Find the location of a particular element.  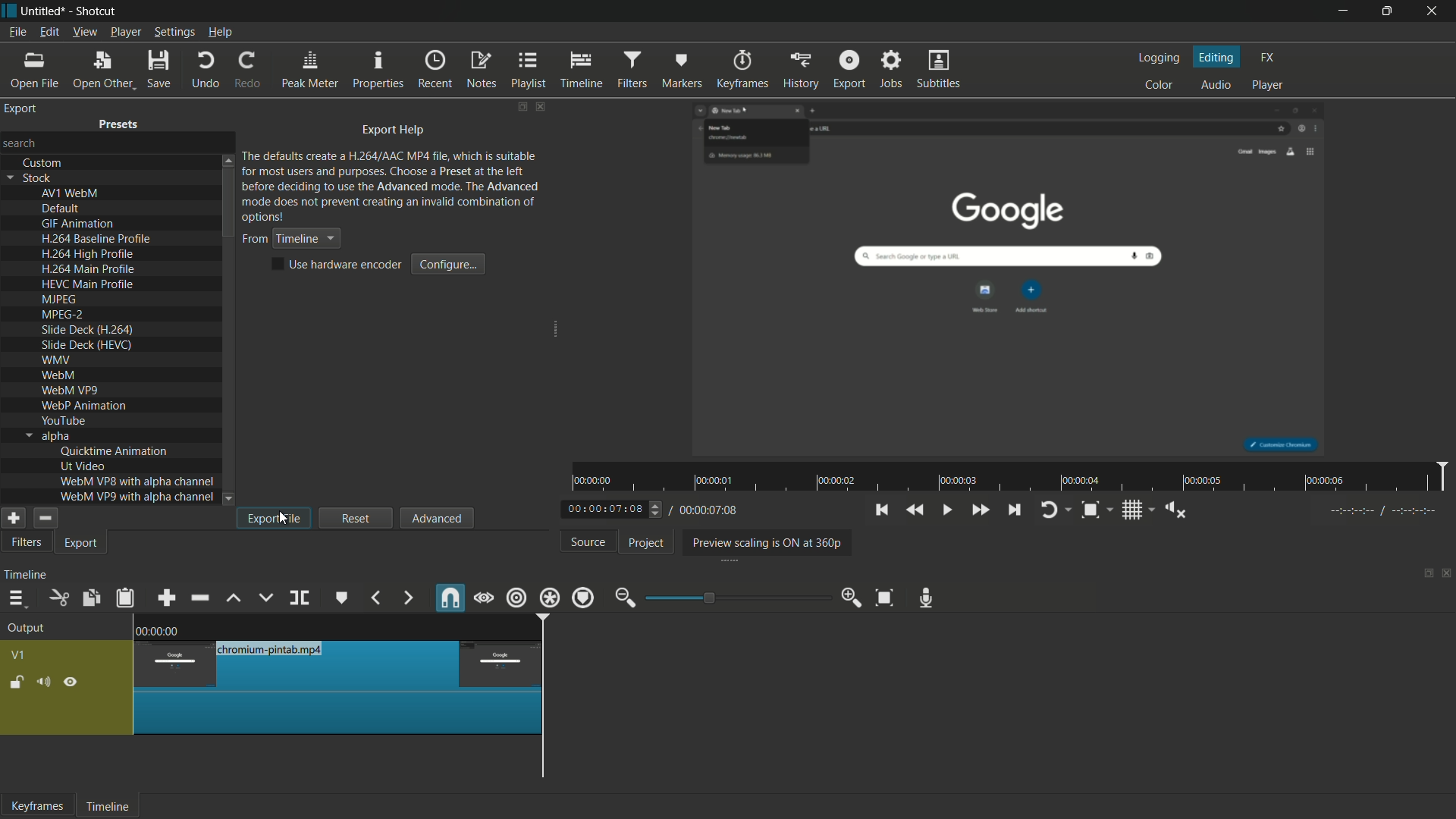

undo is located at coordinates (206, 71).